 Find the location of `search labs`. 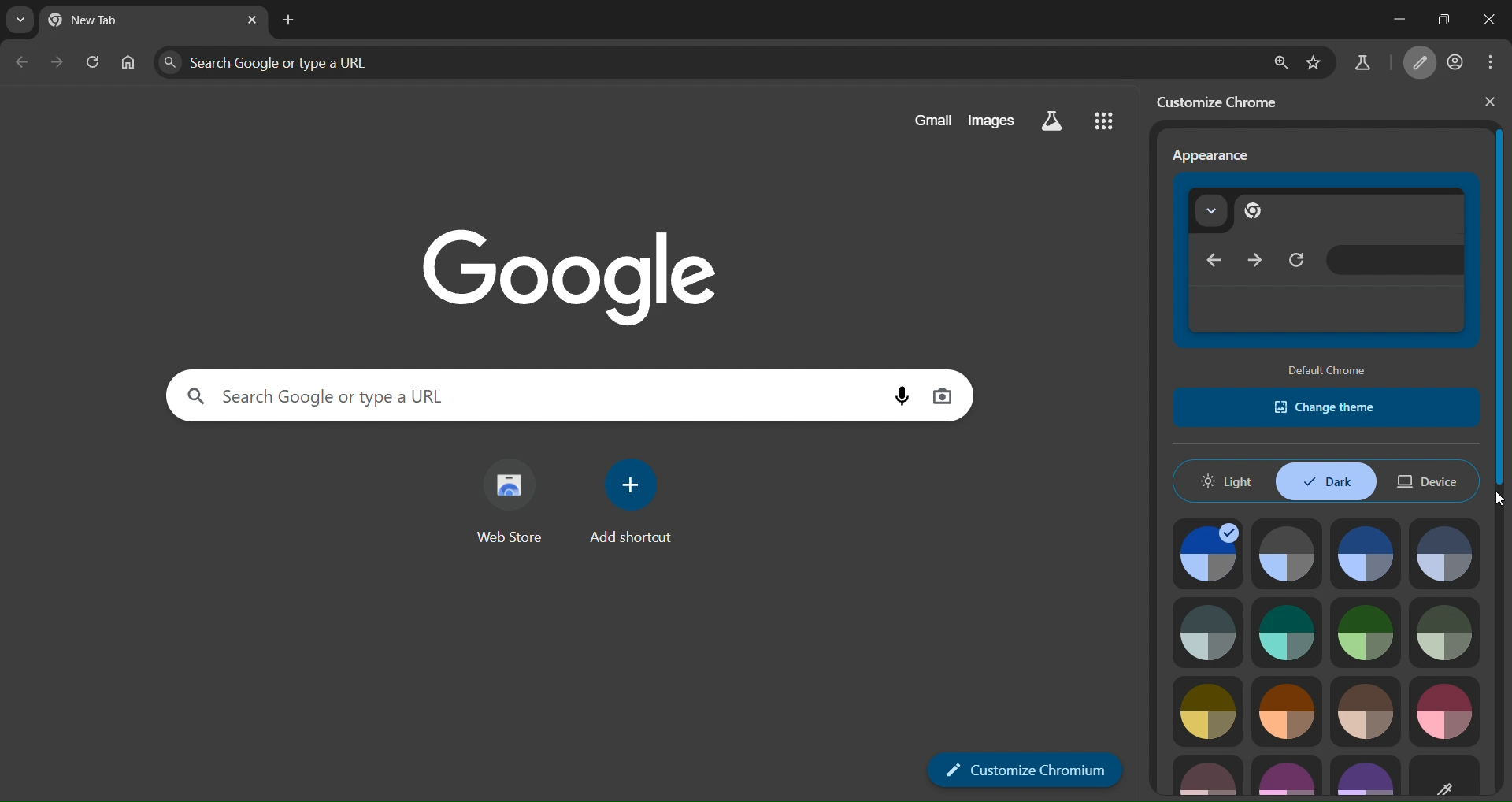

search labs is located at coordinates (1051, 122).